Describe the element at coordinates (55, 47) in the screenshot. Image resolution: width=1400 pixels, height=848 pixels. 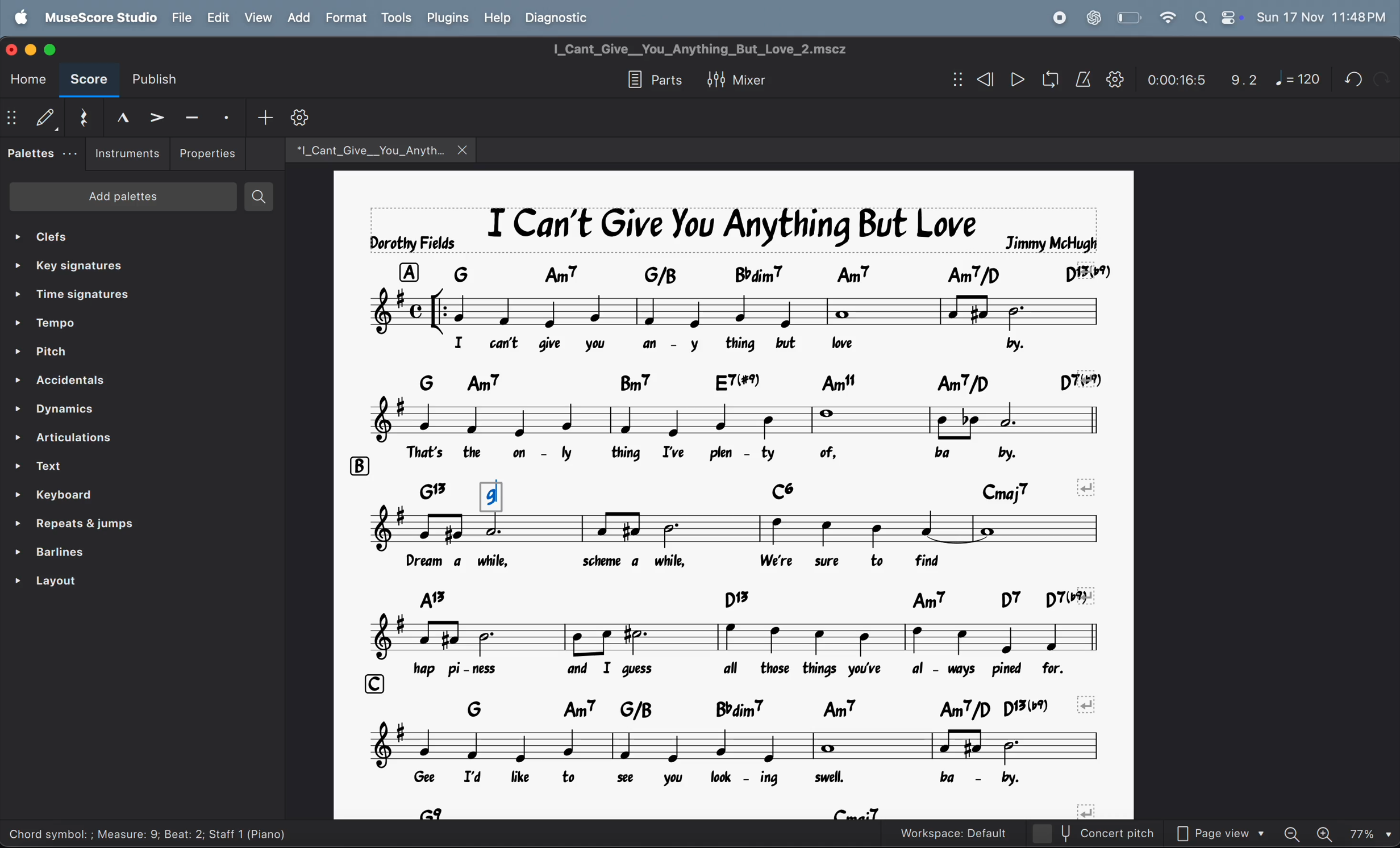
I see `maximize` at that location.